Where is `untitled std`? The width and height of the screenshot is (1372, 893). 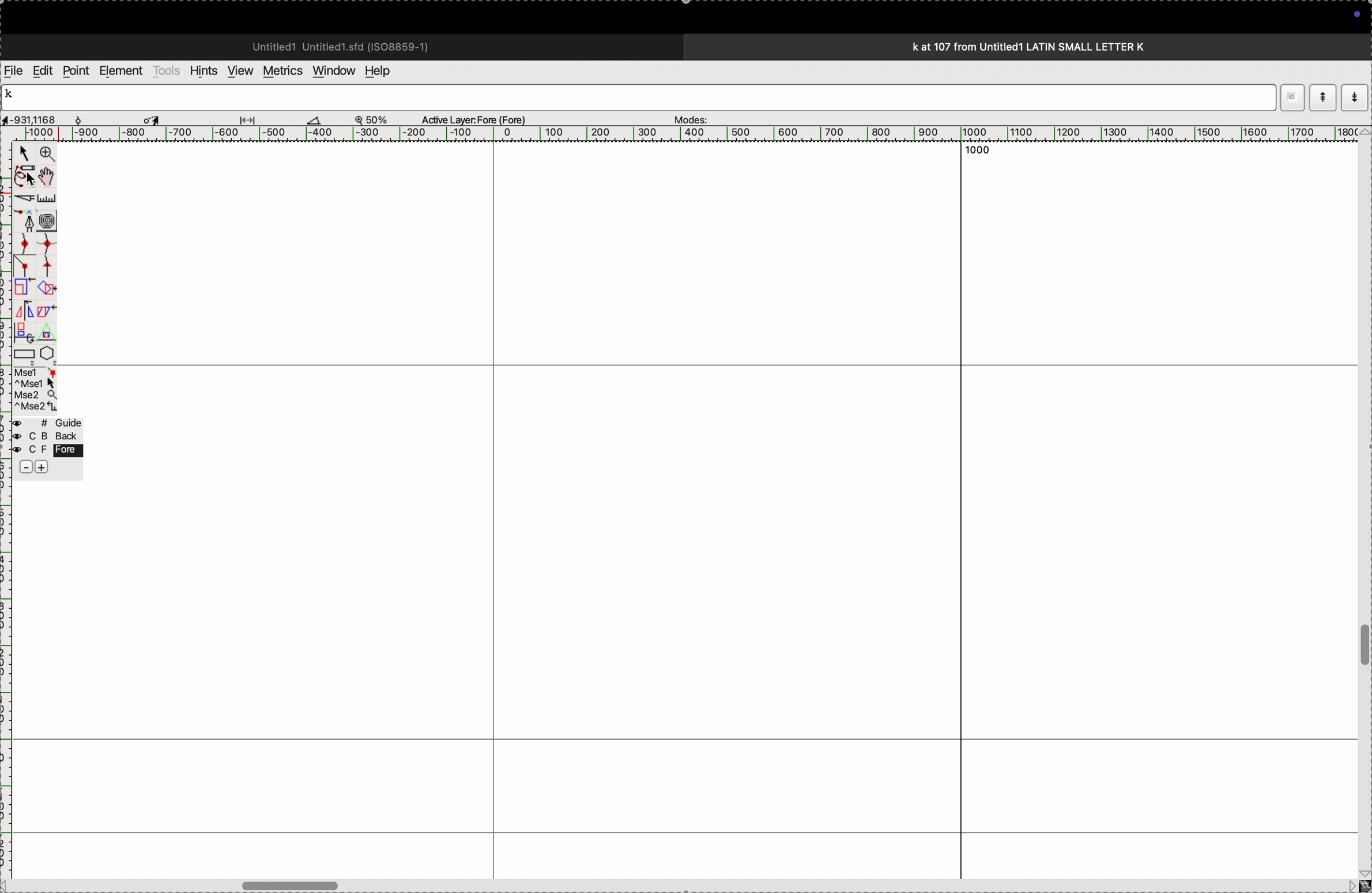
untitled std is located at coordinates (345, 46).